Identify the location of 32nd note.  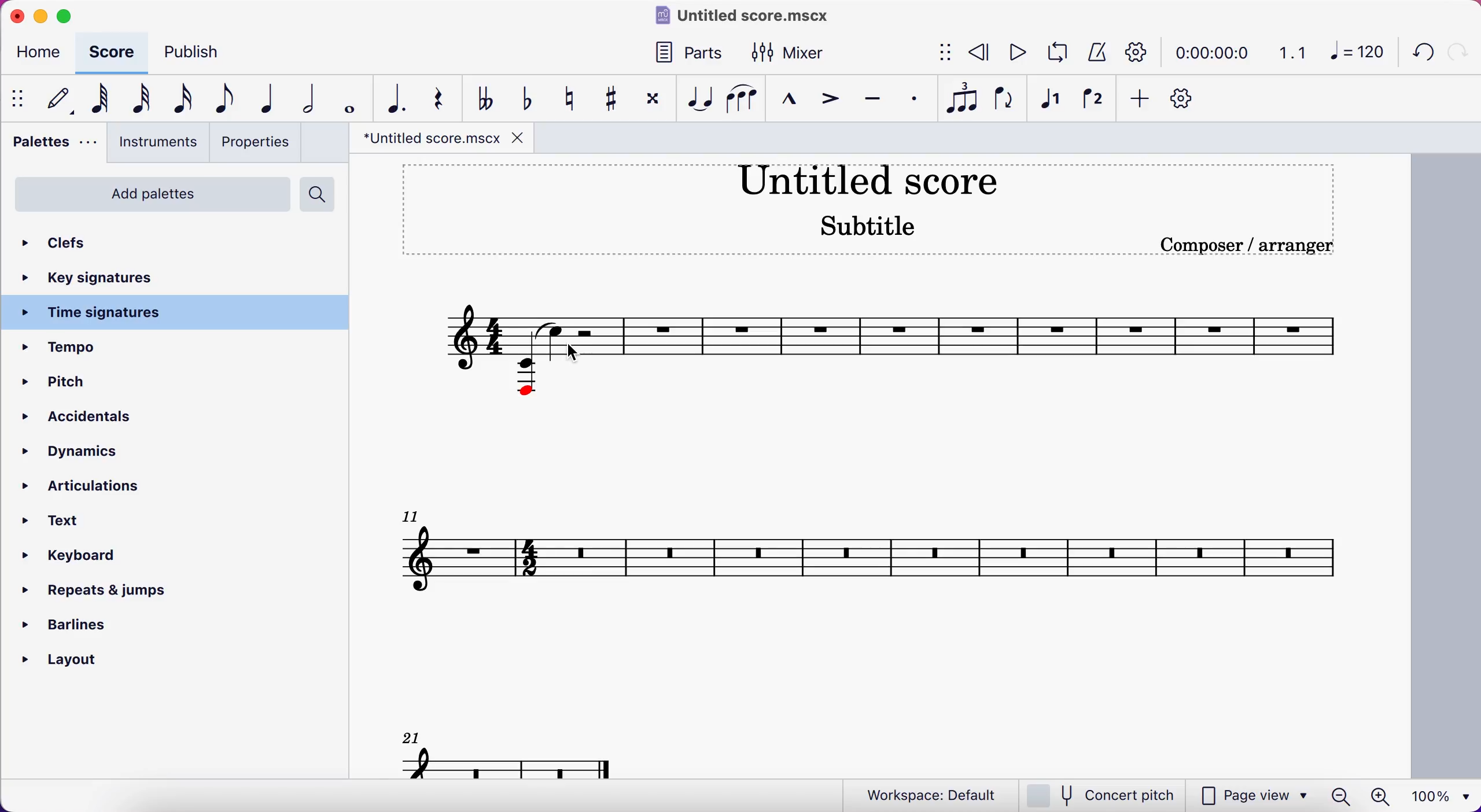
(143, 100).